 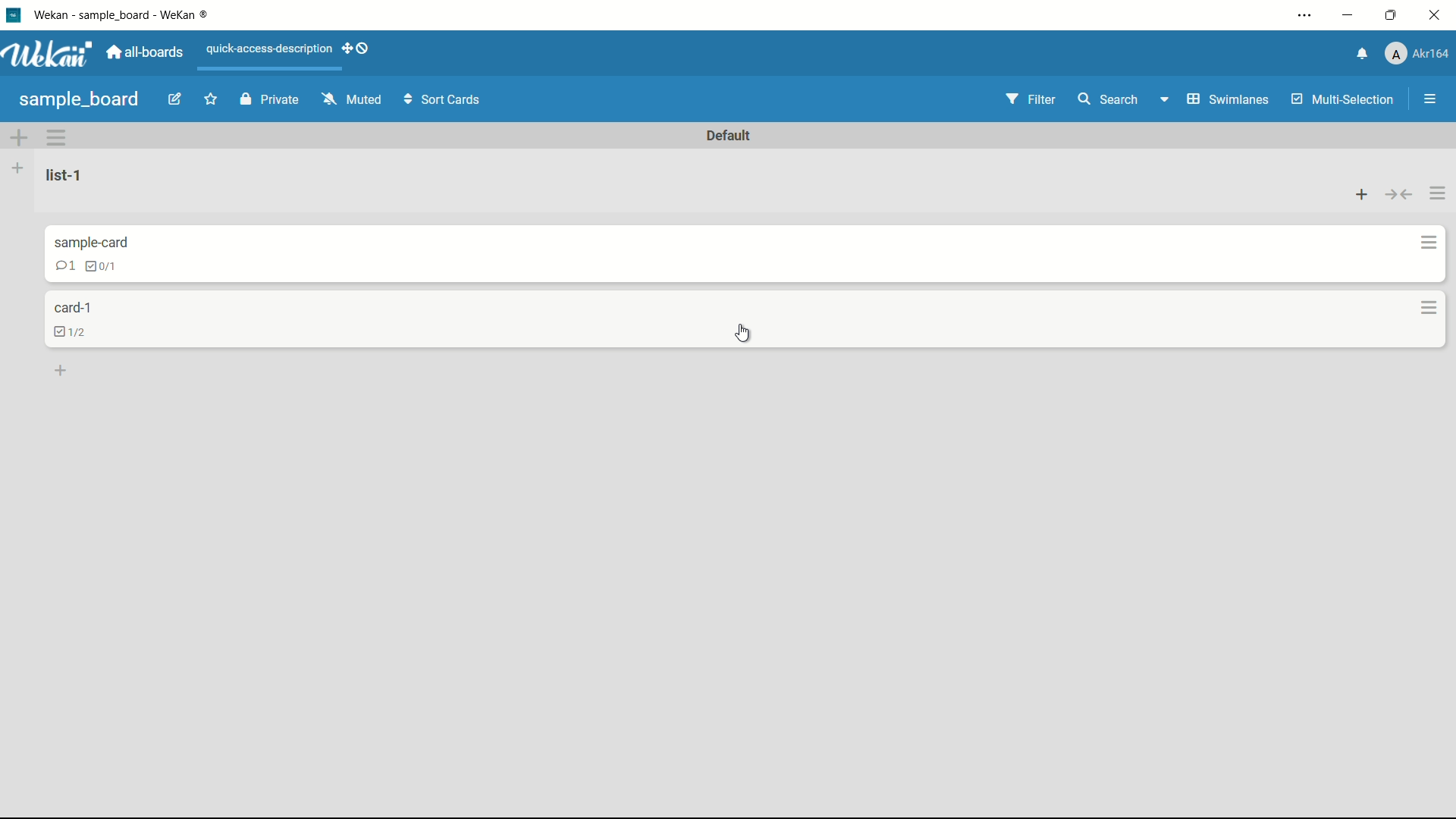 I want to click on multi-selection, so click(x=1341, y=100).